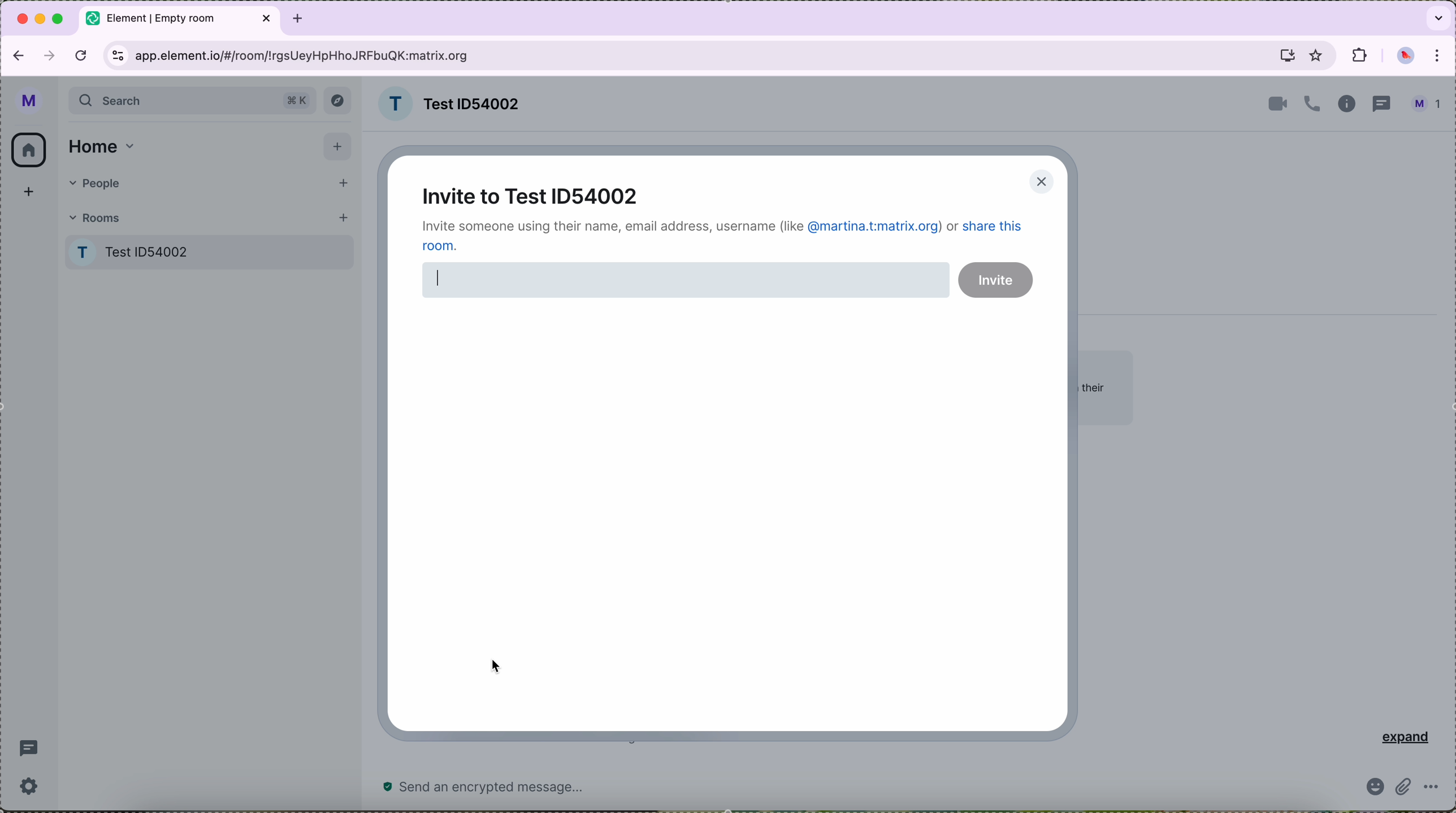  I want to click on tab, so click(298, 17).